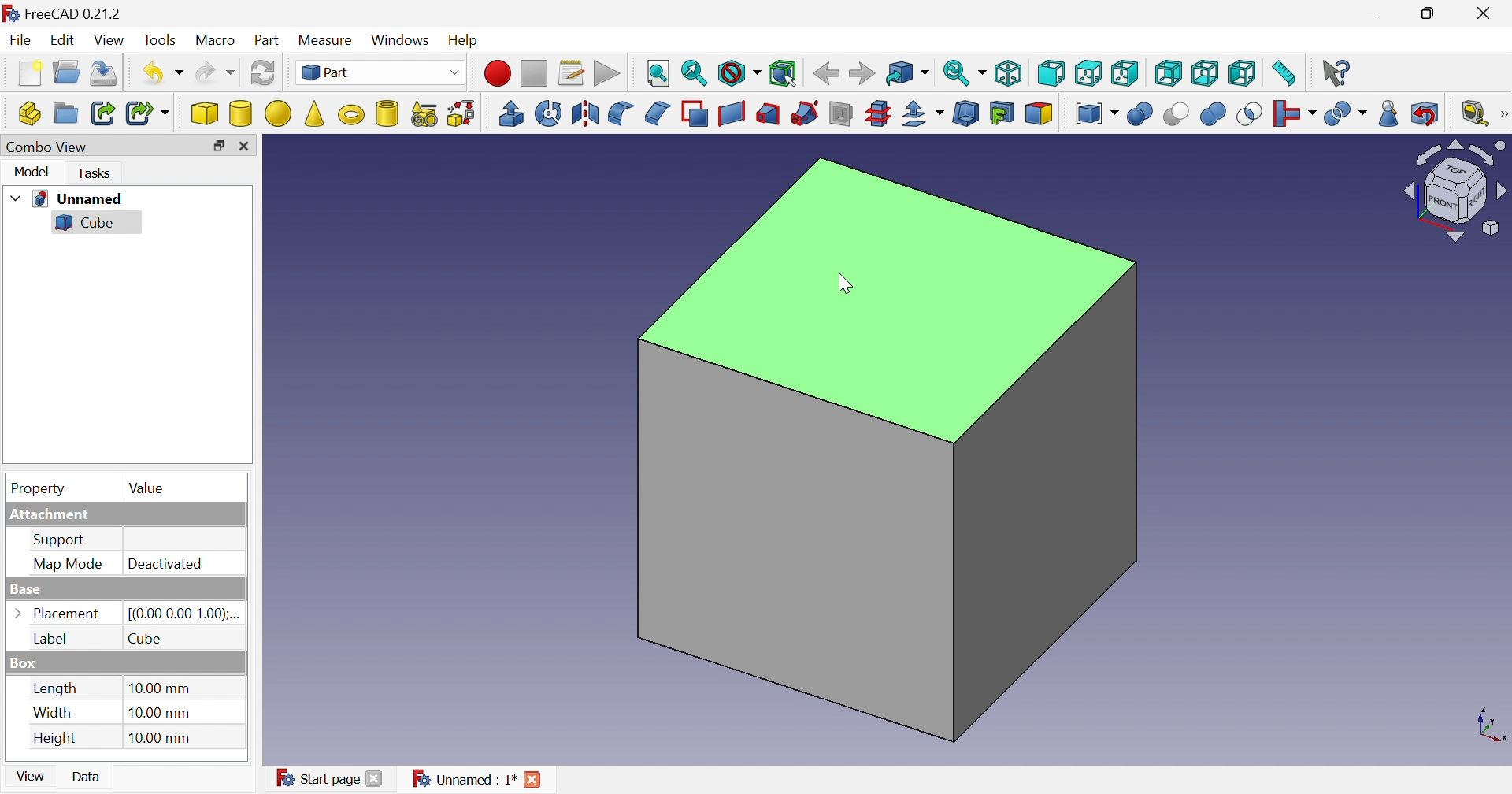 The height and width of the screenshot is (794, 1512). What do you see at coordinates (62, 13) in the screenshot?
I see `FreeCAD 0.21.2` at bounding box center [62, 13].